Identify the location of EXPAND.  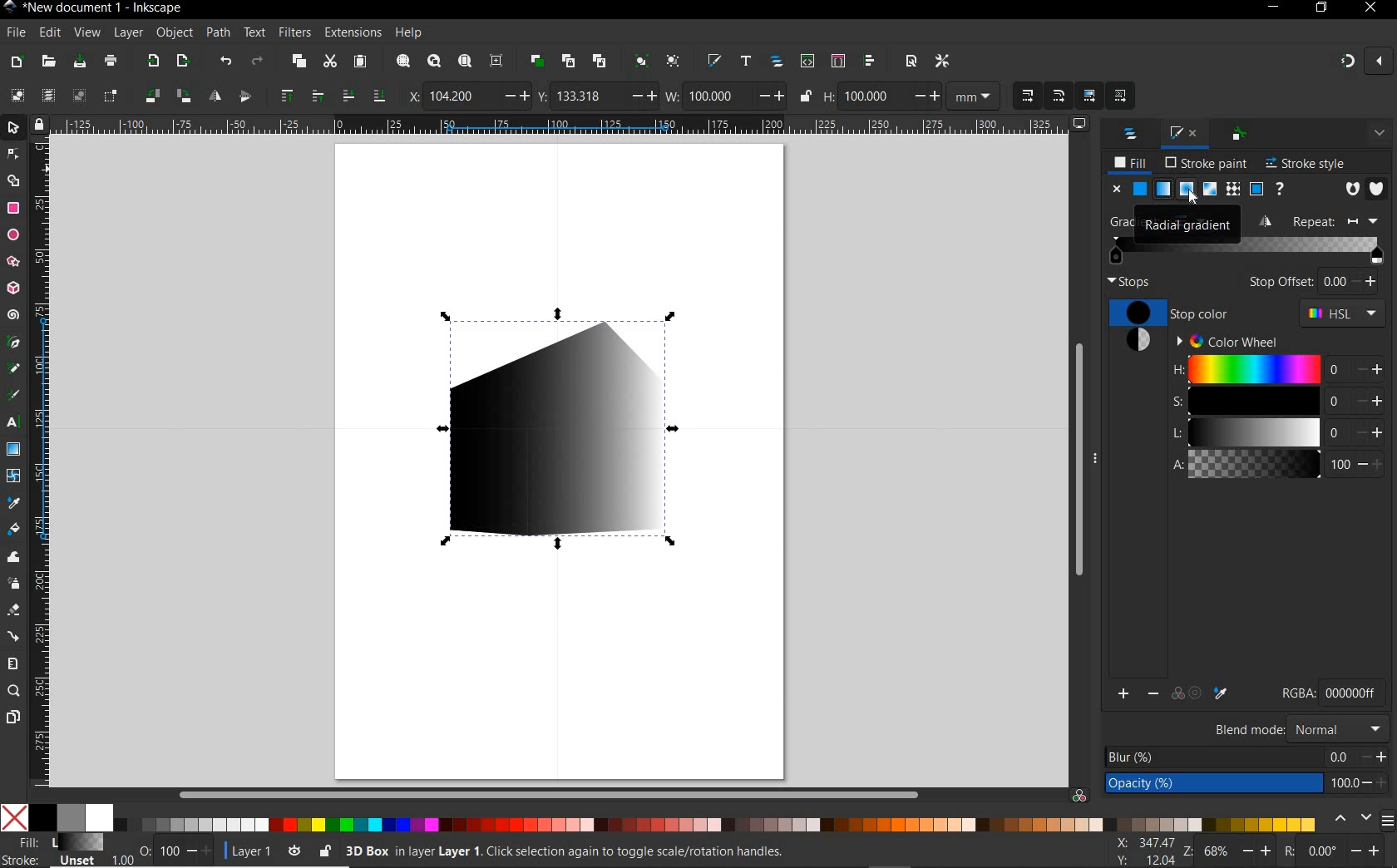
(1378, 133).